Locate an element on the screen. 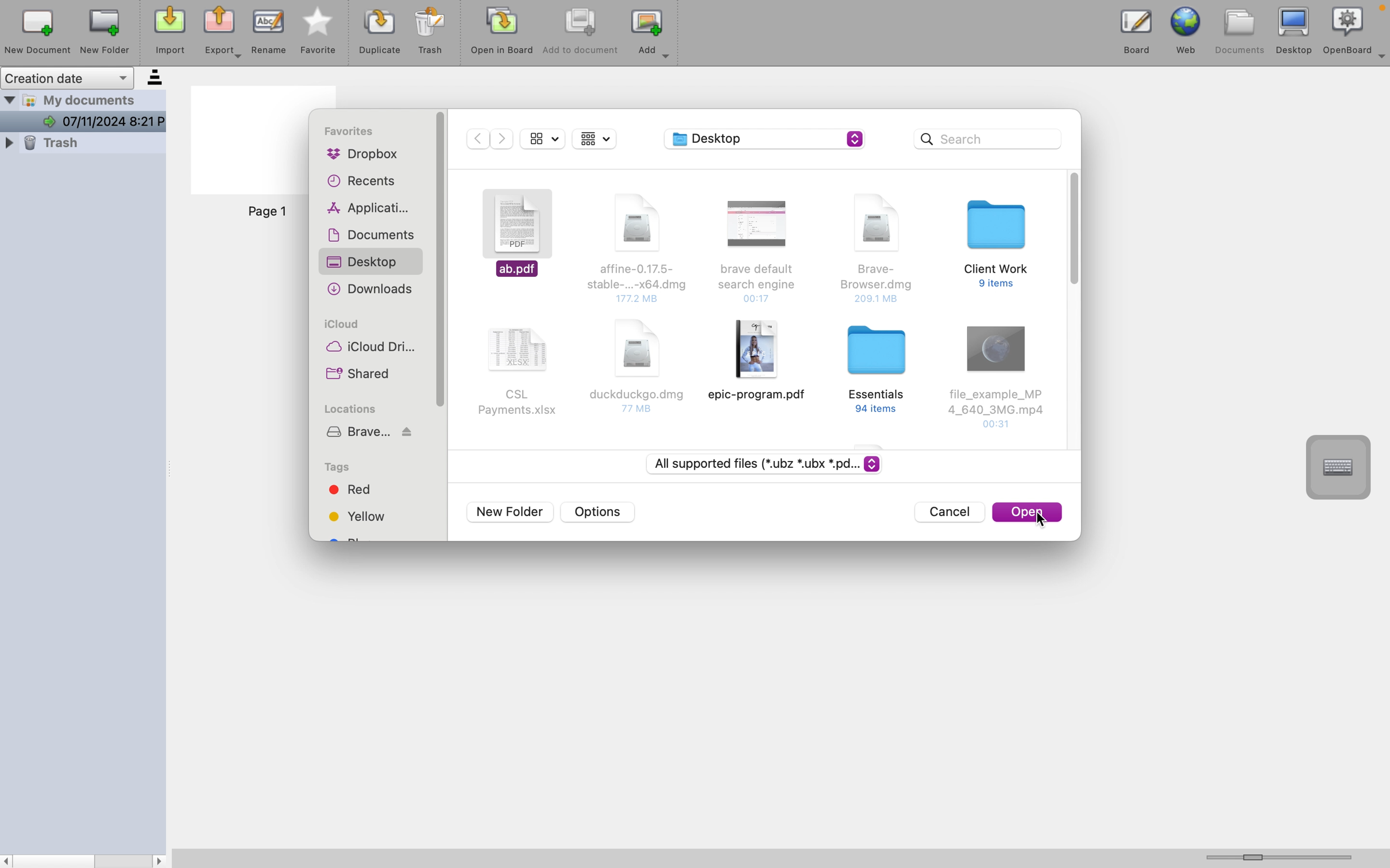  navigation buttons is located at coordinates (492, 140).